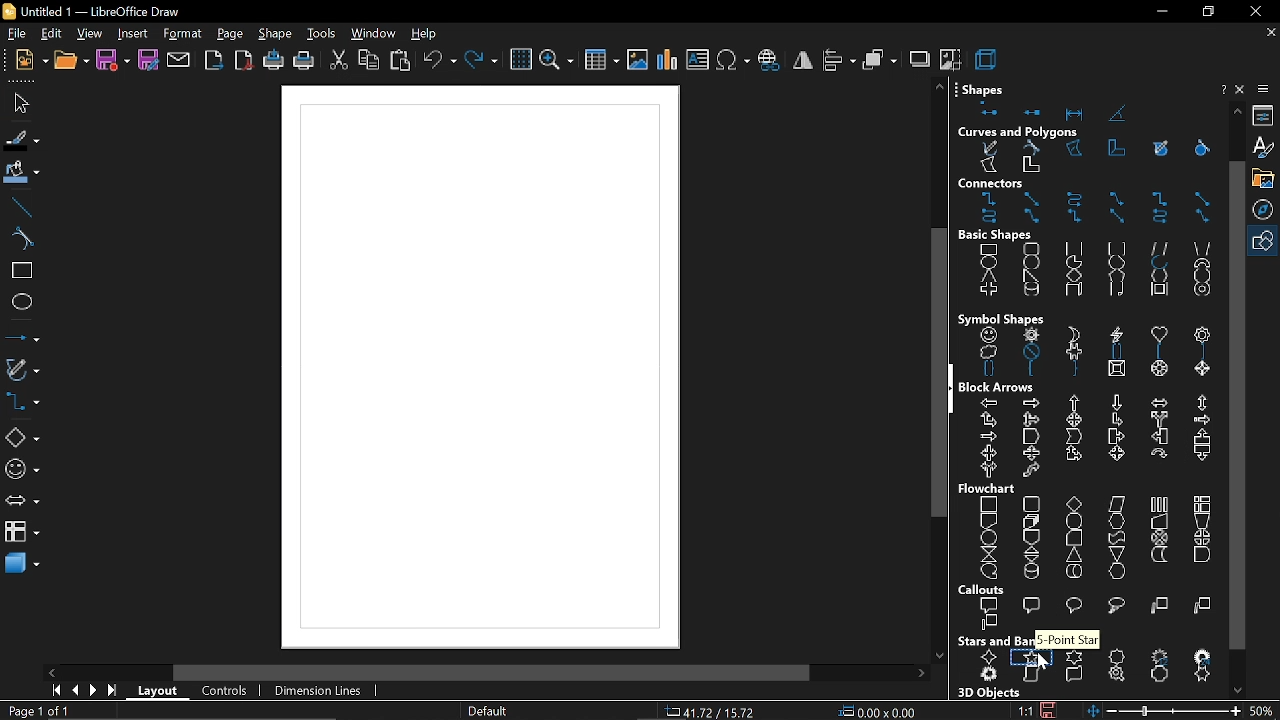 The height and width of the screenshot is (720, 1280). What do you see at coordinates (920, 61) in the screenshot?
I see `shadow` at bounding box center [920, 61].